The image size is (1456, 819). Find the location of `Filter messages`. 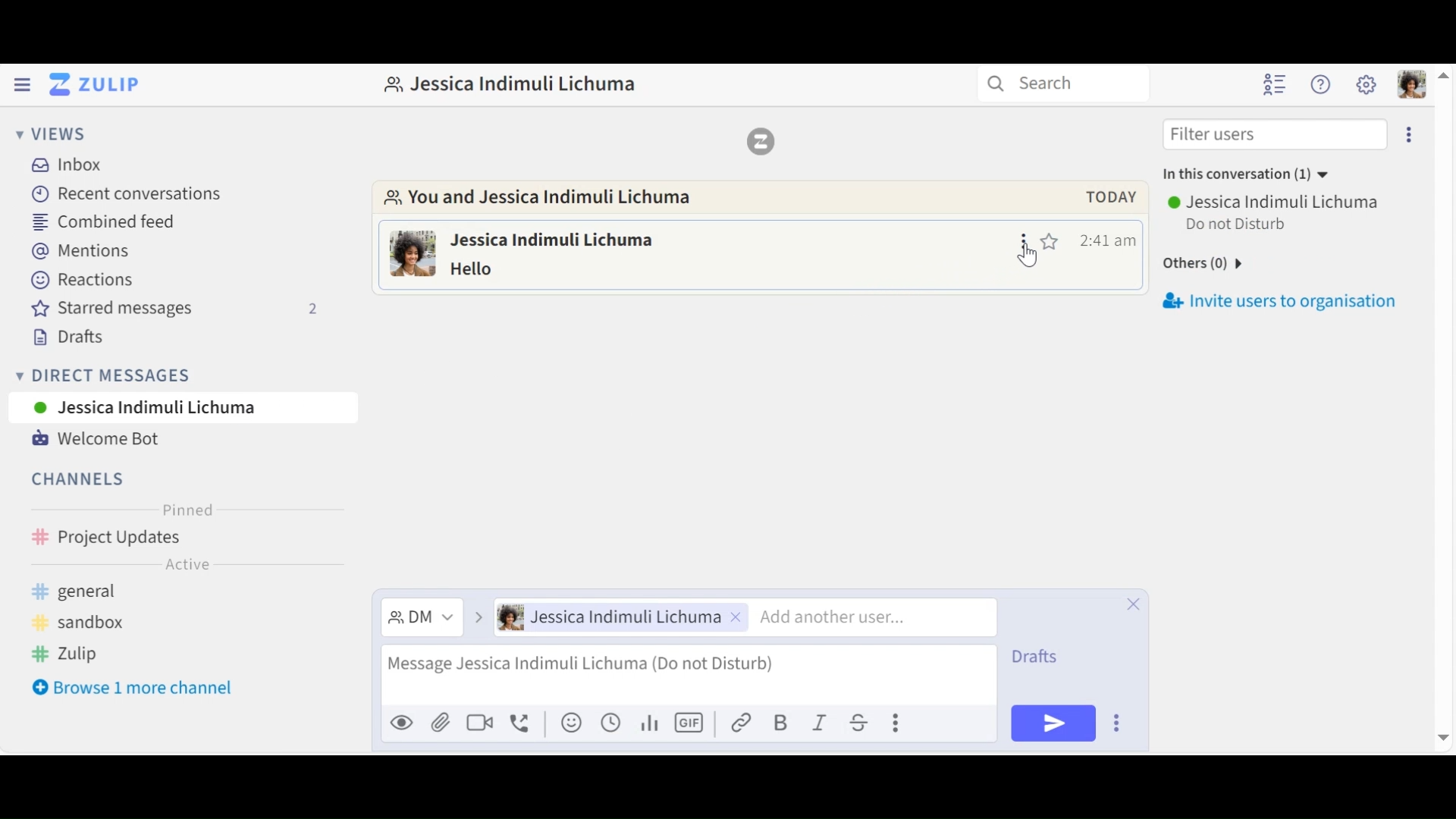

Filter messages is located at coordinates (421, 619).